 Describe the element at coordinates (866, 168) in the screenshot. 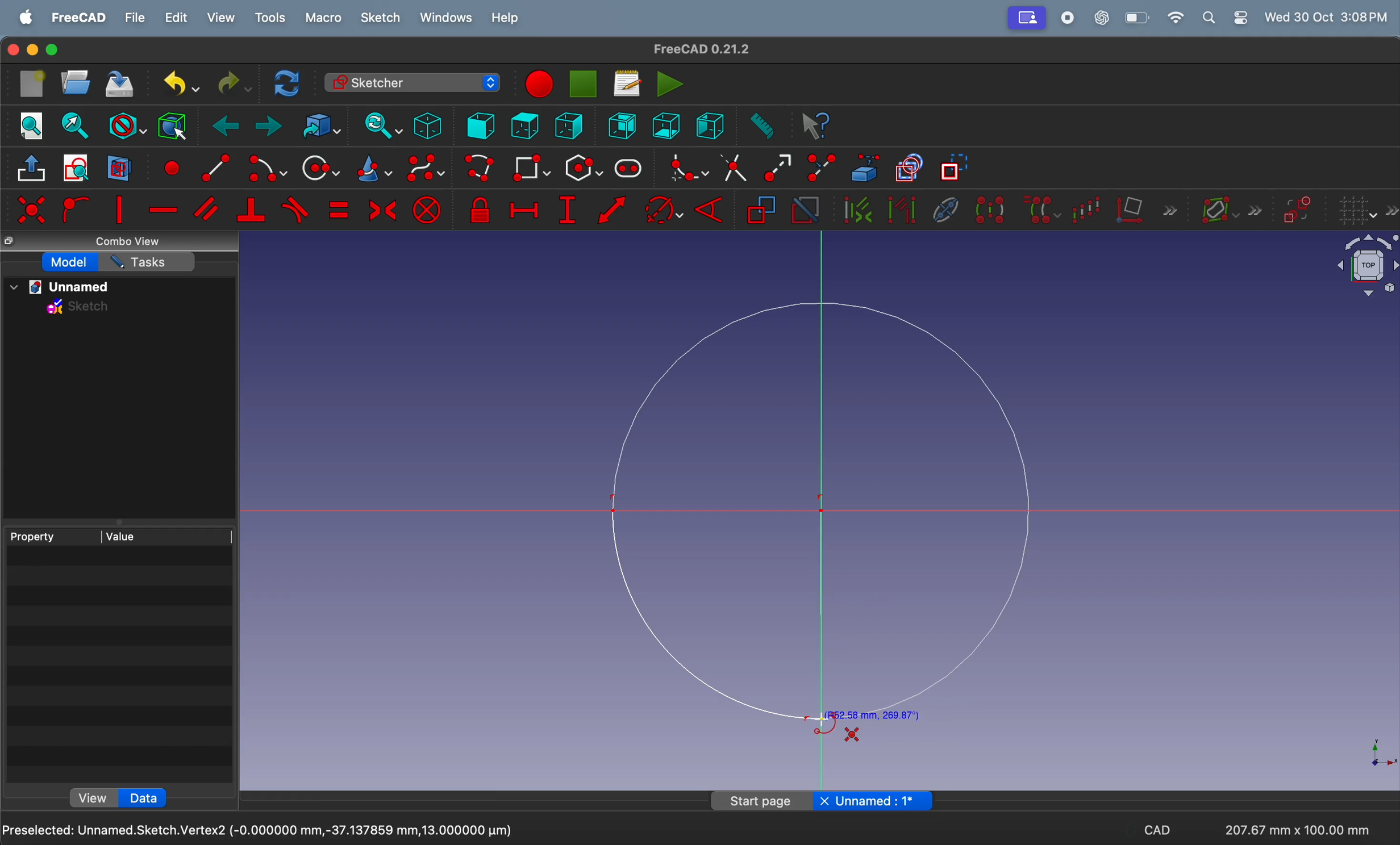

I see `create external geometry` at that location.